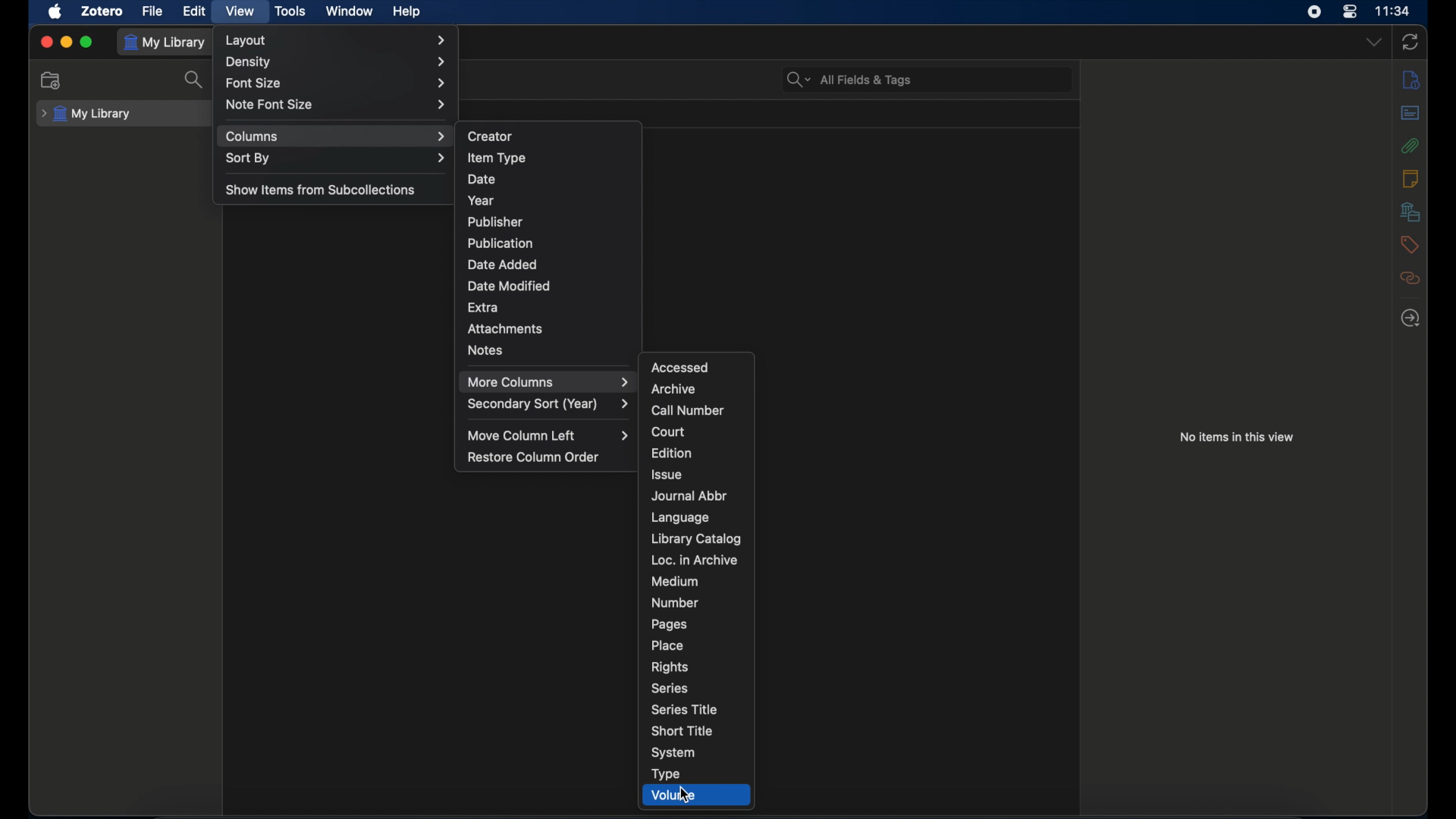  What do you see at coordinates (673, 795) in the screenshot?
I see `volume` at bounding box center [673, 795].